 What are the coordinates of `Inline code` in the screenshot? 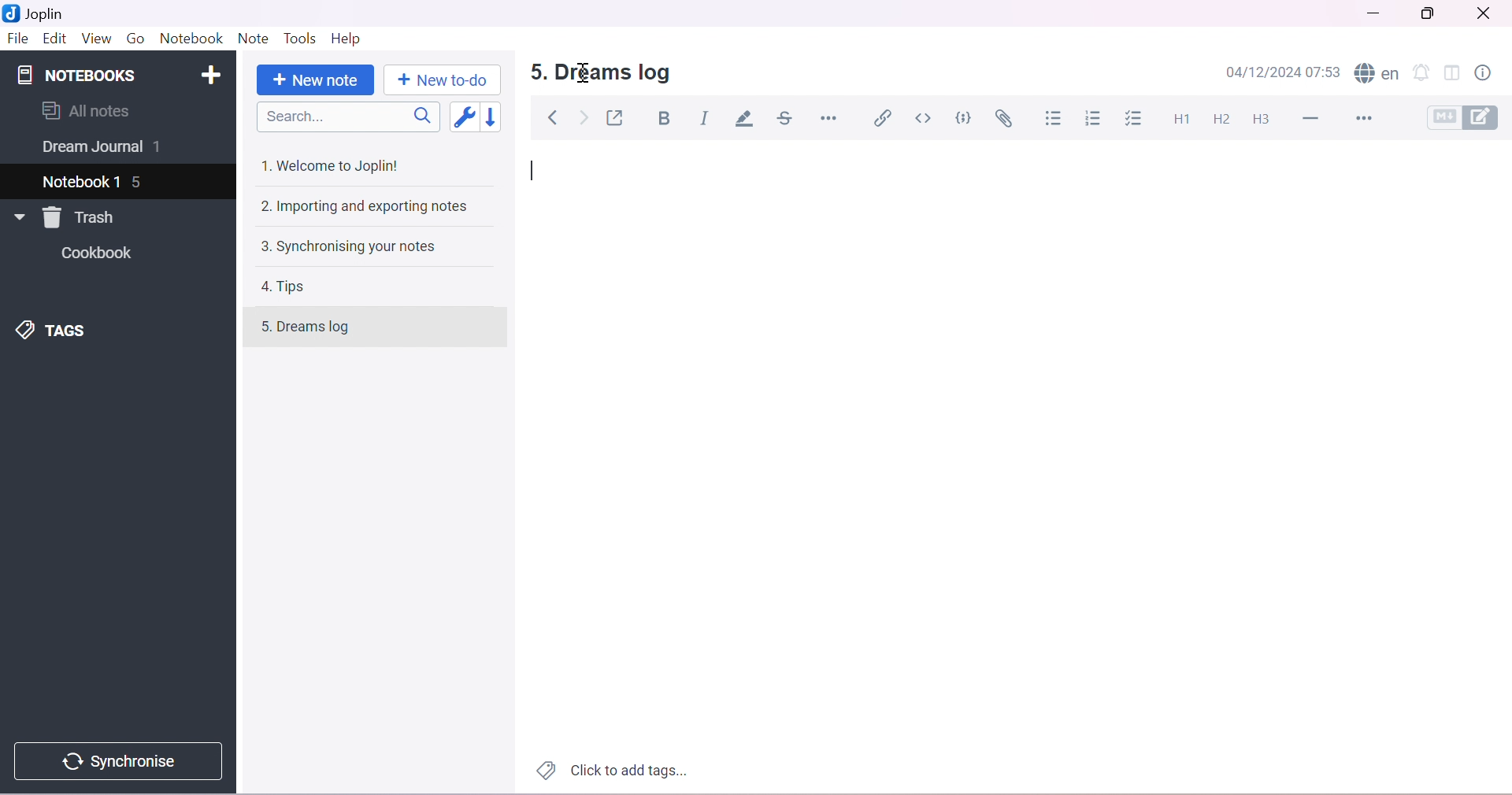 It's located at (925, 118).